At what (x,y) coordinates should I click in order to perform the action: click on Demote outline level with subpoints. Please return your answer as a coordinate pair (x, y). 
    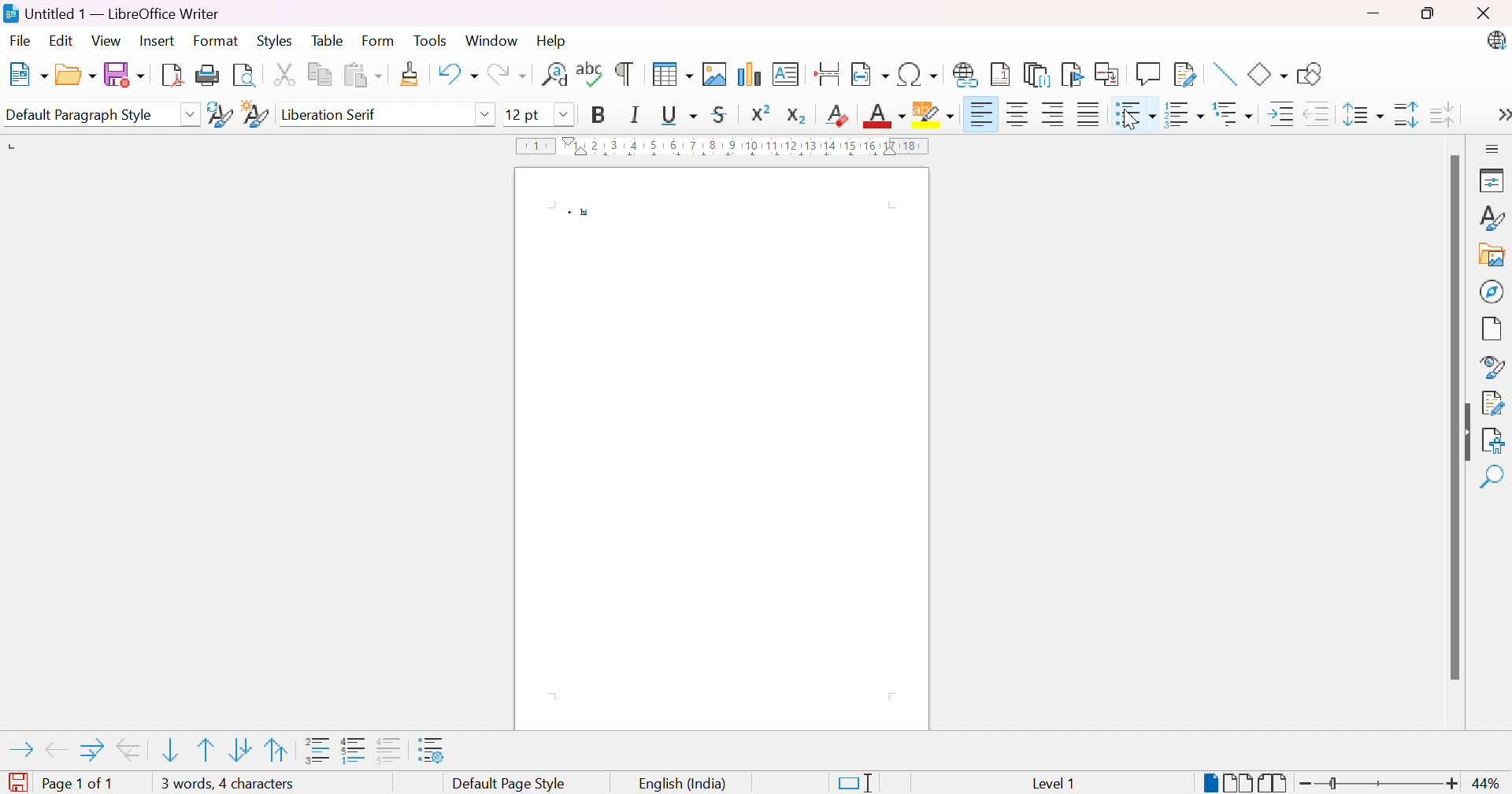
    Looking at the image, I should click on (91, 751).